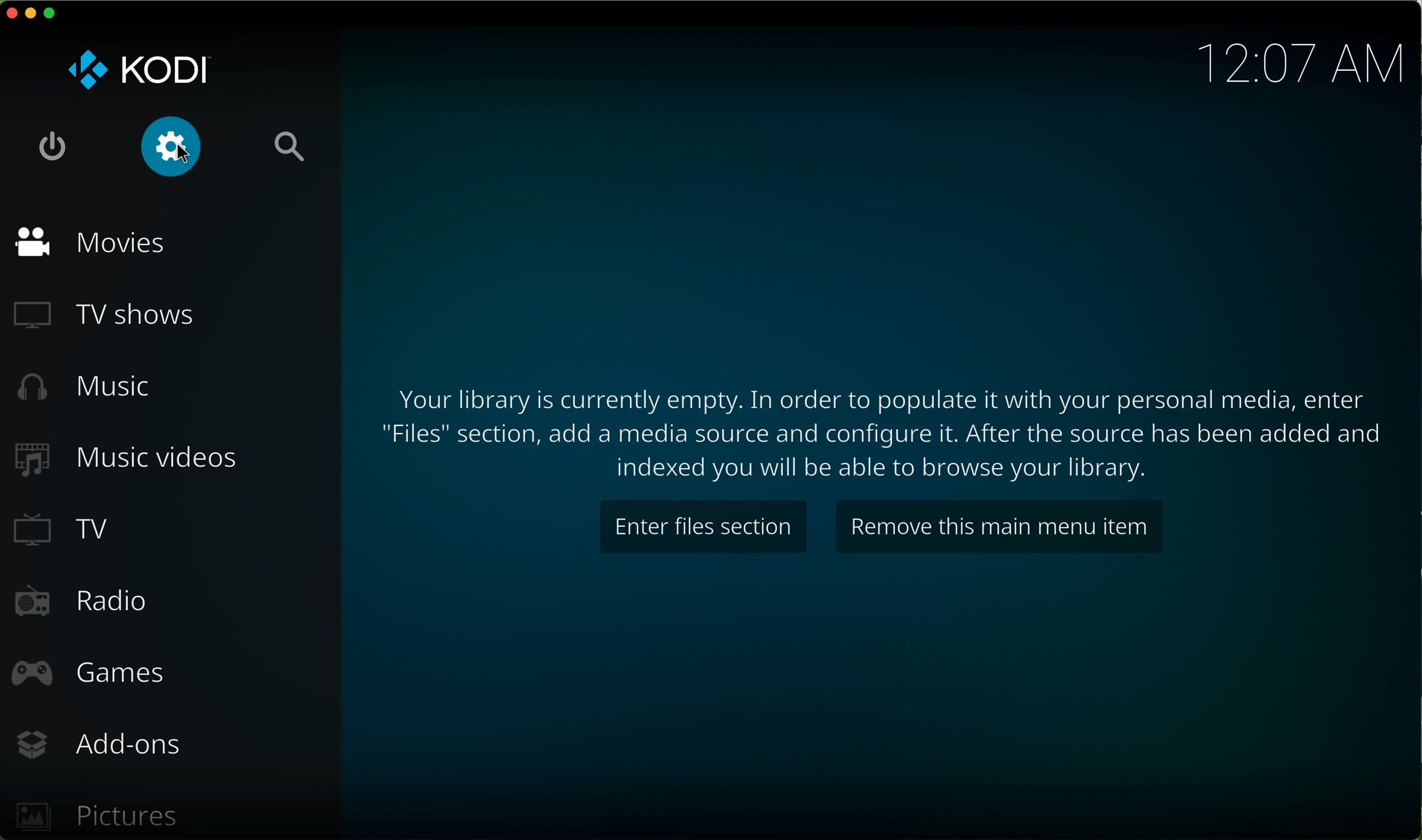 Image resolution: width=1422 pixels, height=840 pixels. Describe the element at coordinates (79, 387) in the screenshot. I see `music` at that location.